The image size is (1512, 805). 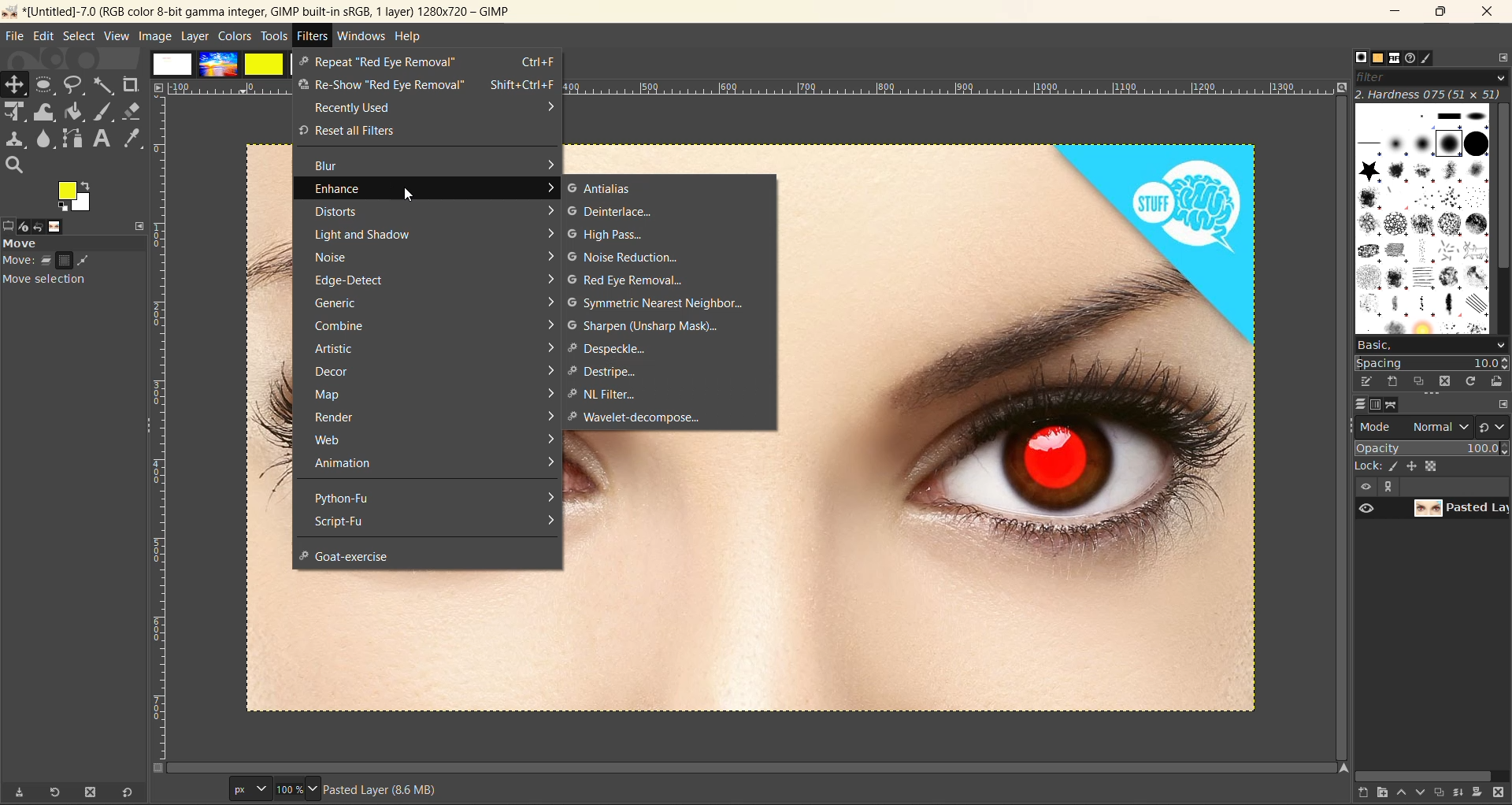 What do you see at coordinates (432, 371) in the screenshot?
I see `decor` at bounding box center [432, 371].